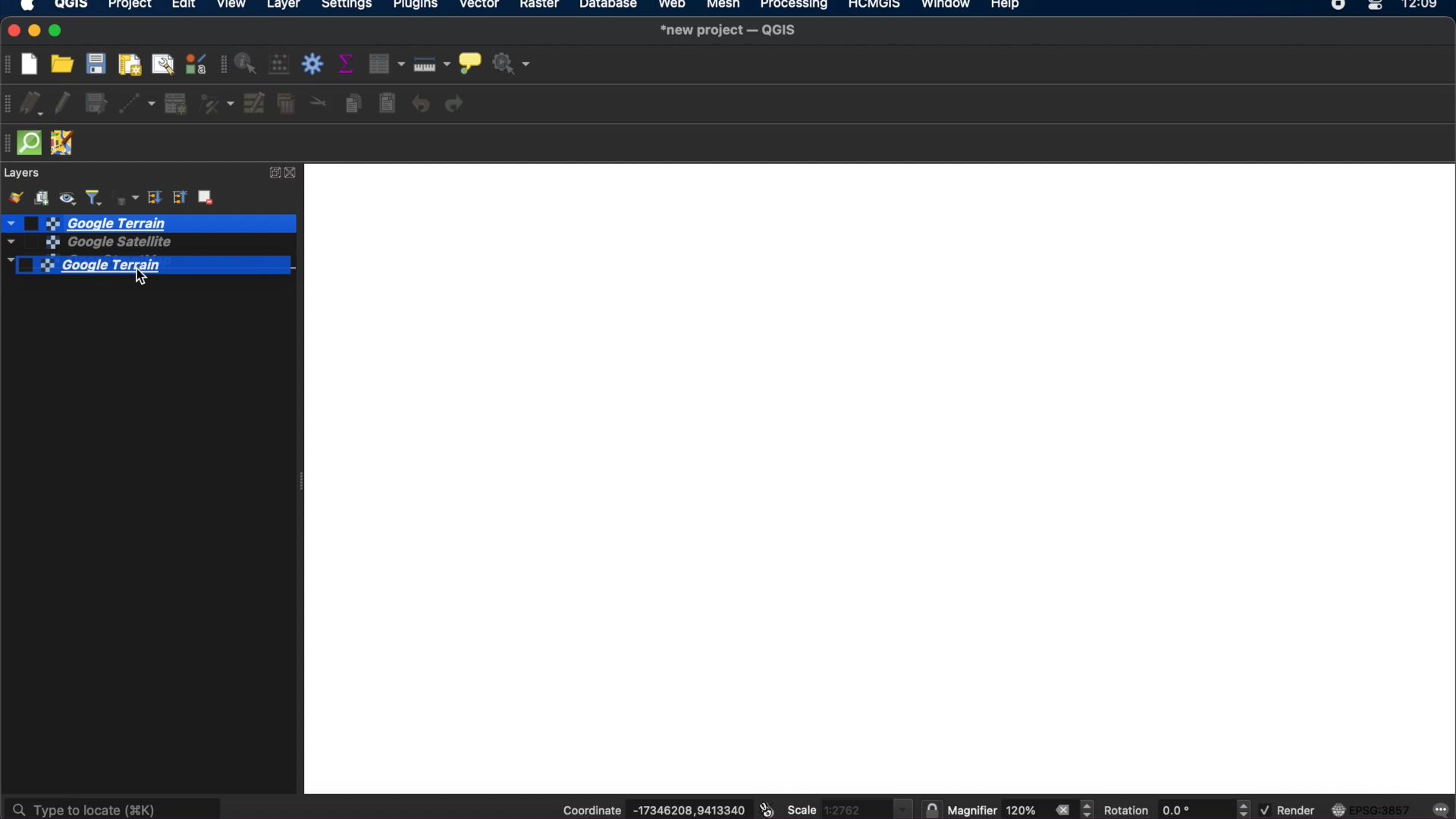 This screenshot has width=1456, height=819. What do you see at coordinates (248, 64) in the screenshot?
I see `identify features` at bounding box center [248, 64].